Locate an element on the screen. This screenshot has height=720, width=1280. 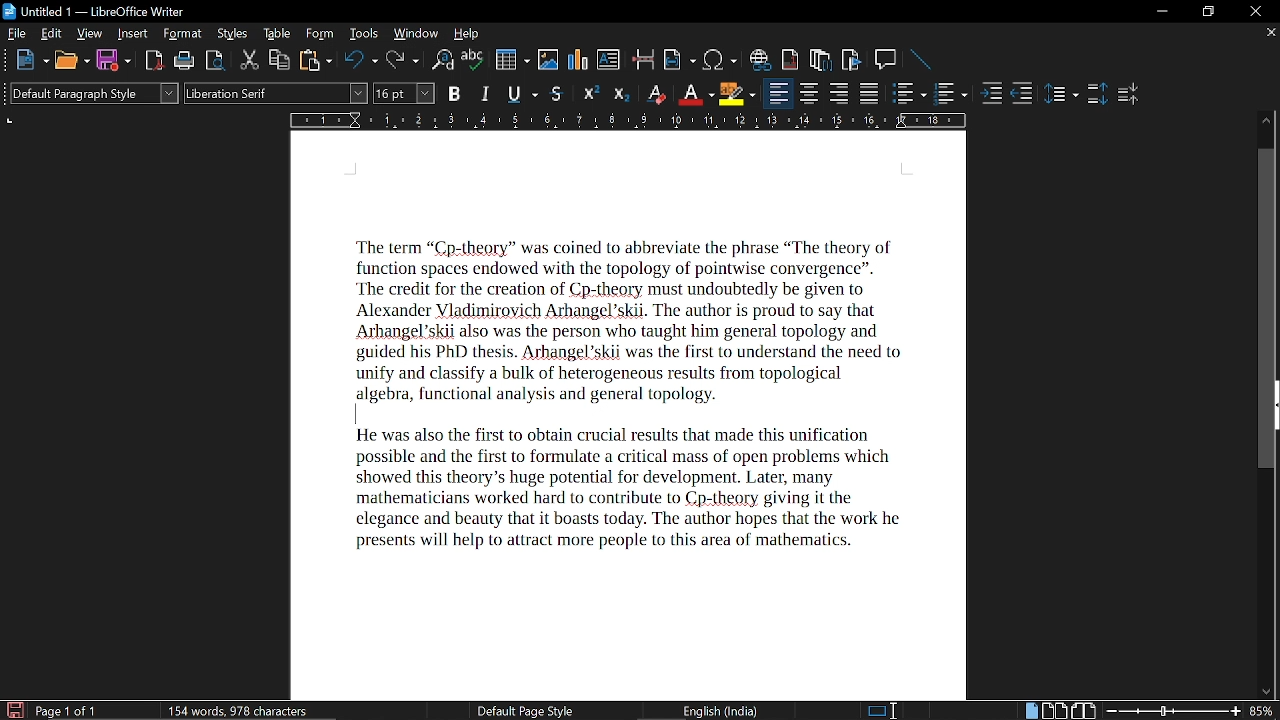
Increase paragraph spacing is located at coordinates (1095, 95).